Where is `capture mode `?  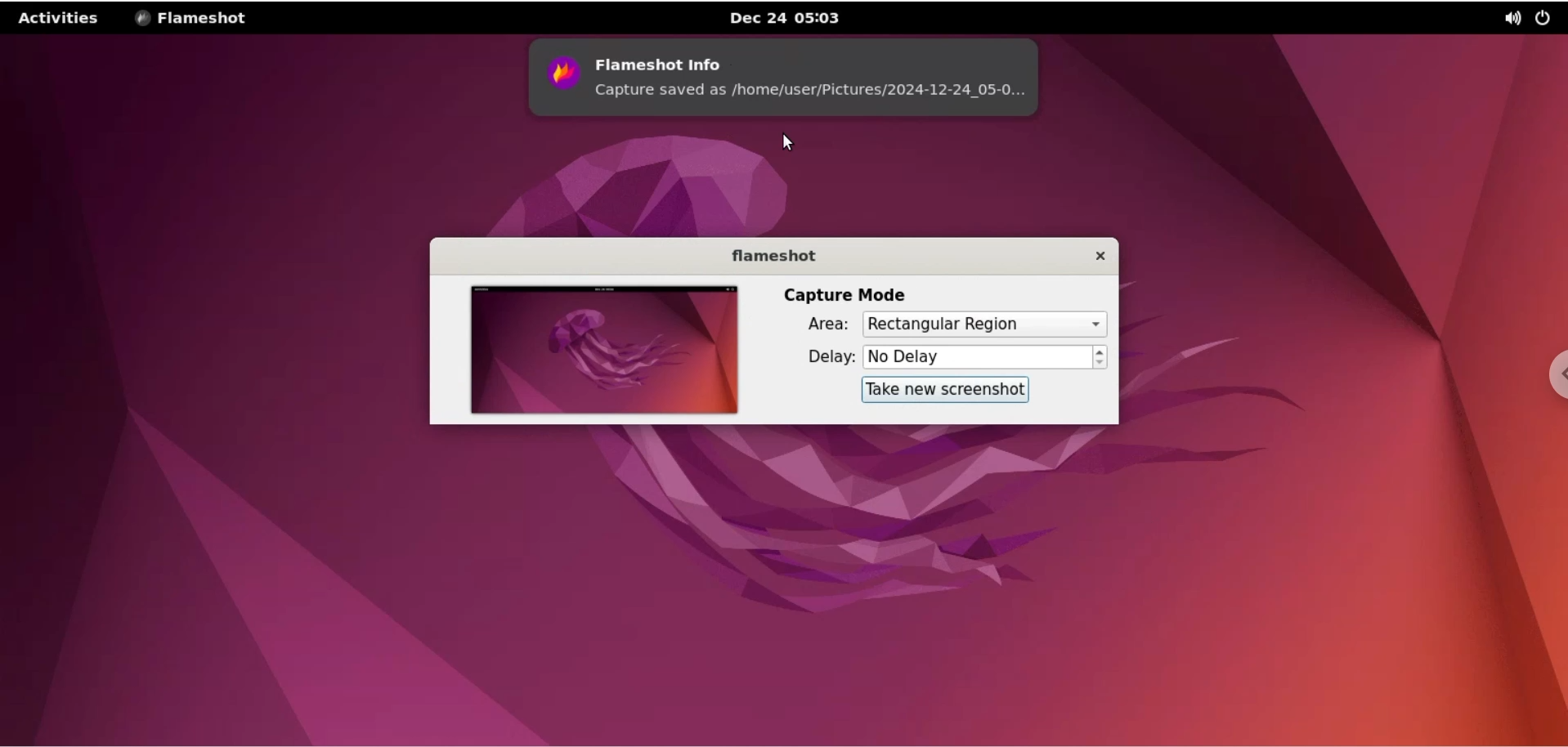
capture mode  is located at coordinates (836, 294).